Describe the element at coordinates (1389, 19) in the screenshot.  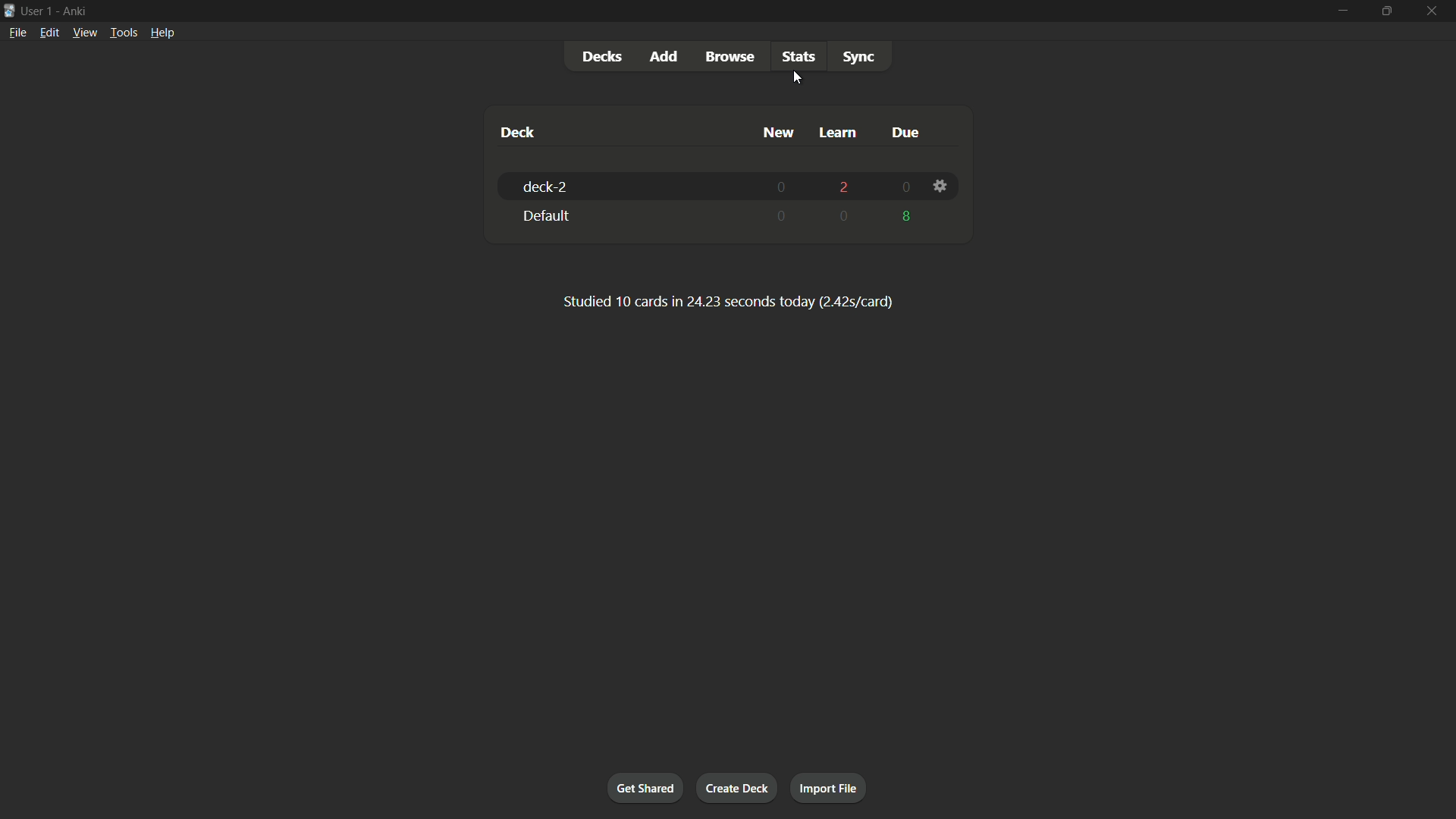
I see `Maximize` at that location.